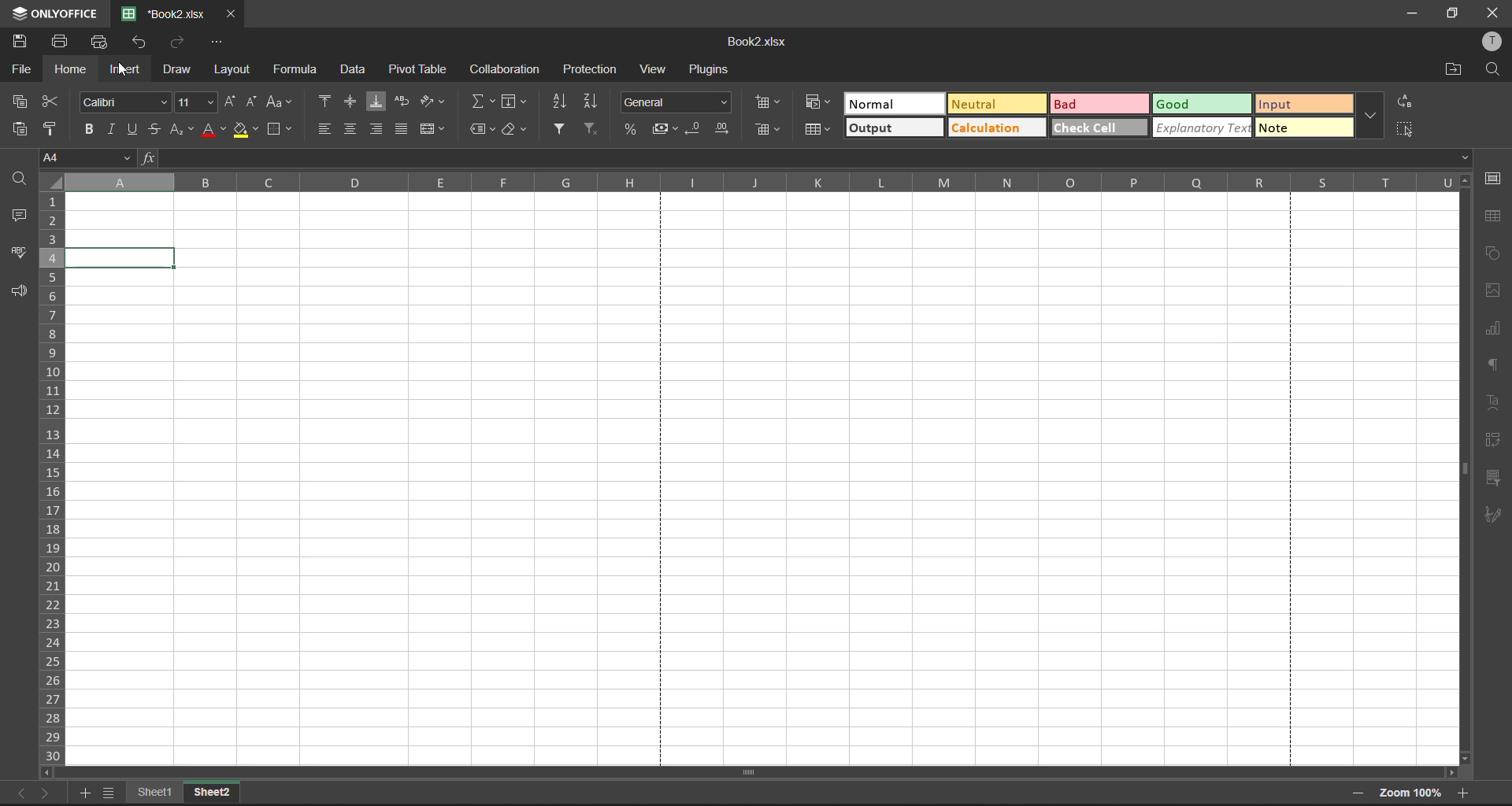 The height and width of the screenshot is (806, 1512). I want to click on clear, so click(515, 129).